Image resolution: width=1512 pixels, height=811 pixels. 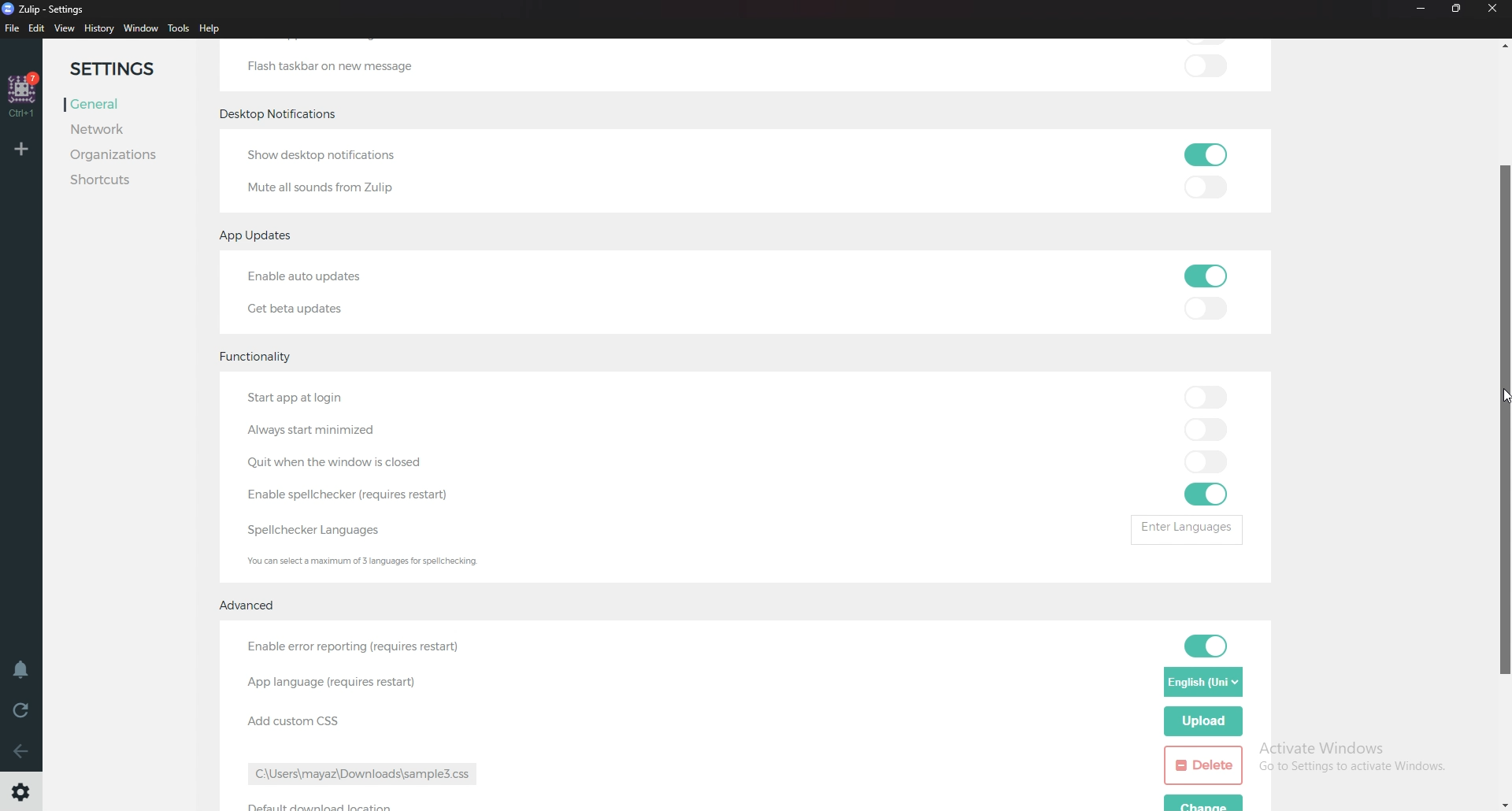 I want to click on Desktop notifications, so click(x=283, y=115).